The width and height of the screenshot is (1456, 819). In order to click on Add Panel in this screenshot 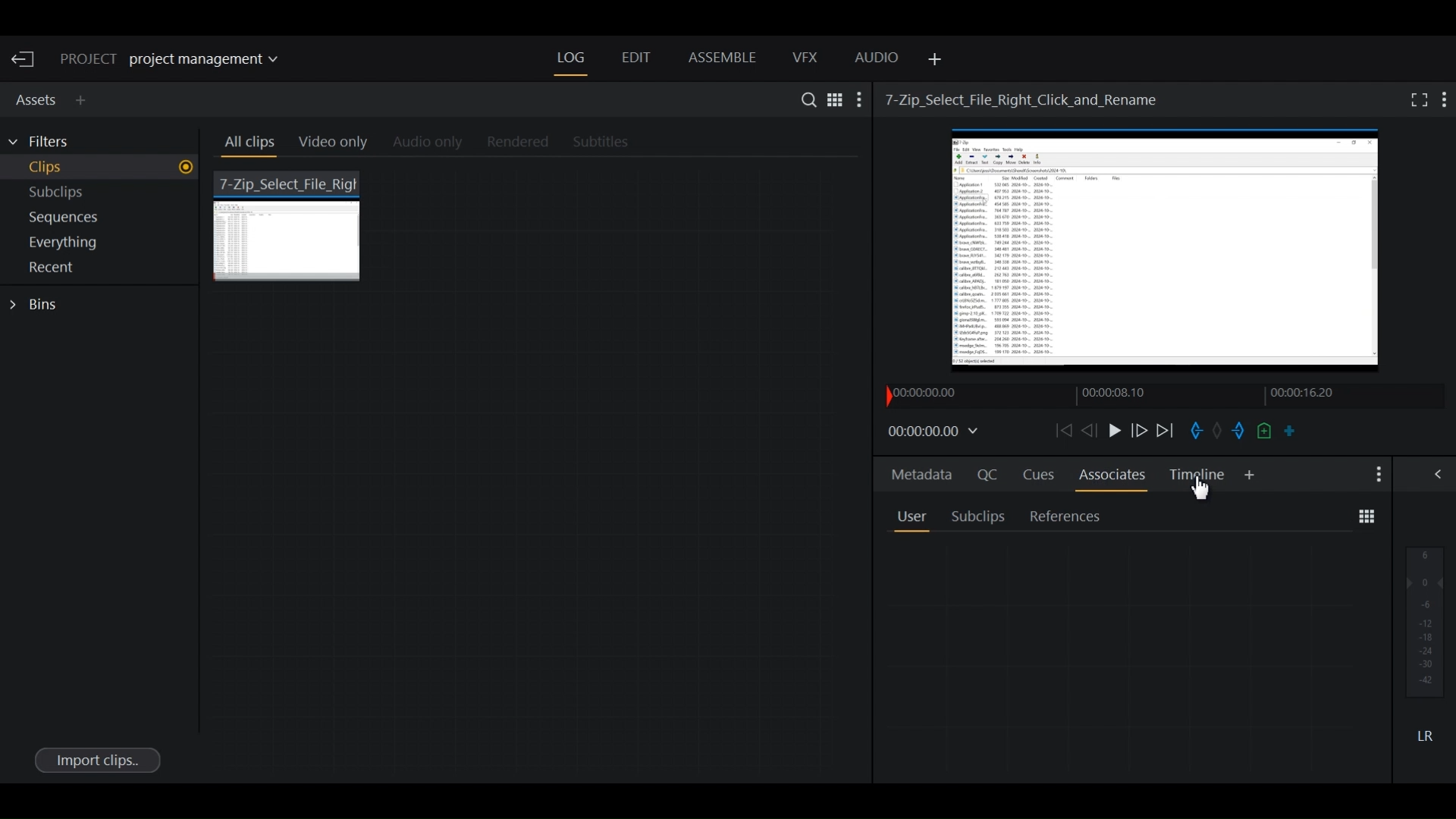, I will do `click(1250, 475)`.